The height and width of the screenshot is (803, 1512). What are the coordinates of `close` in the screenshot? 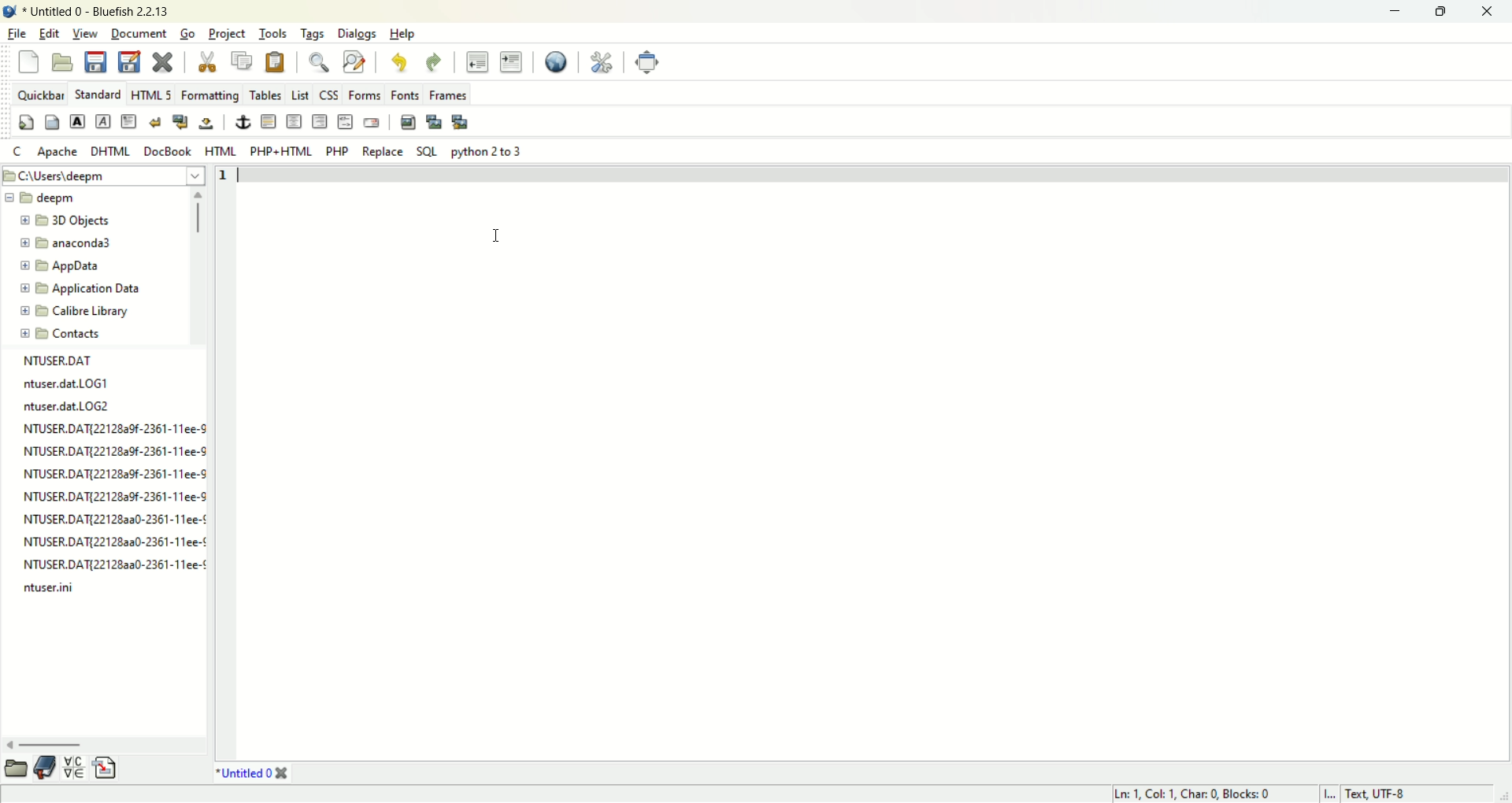 It's located at (1486, 12).